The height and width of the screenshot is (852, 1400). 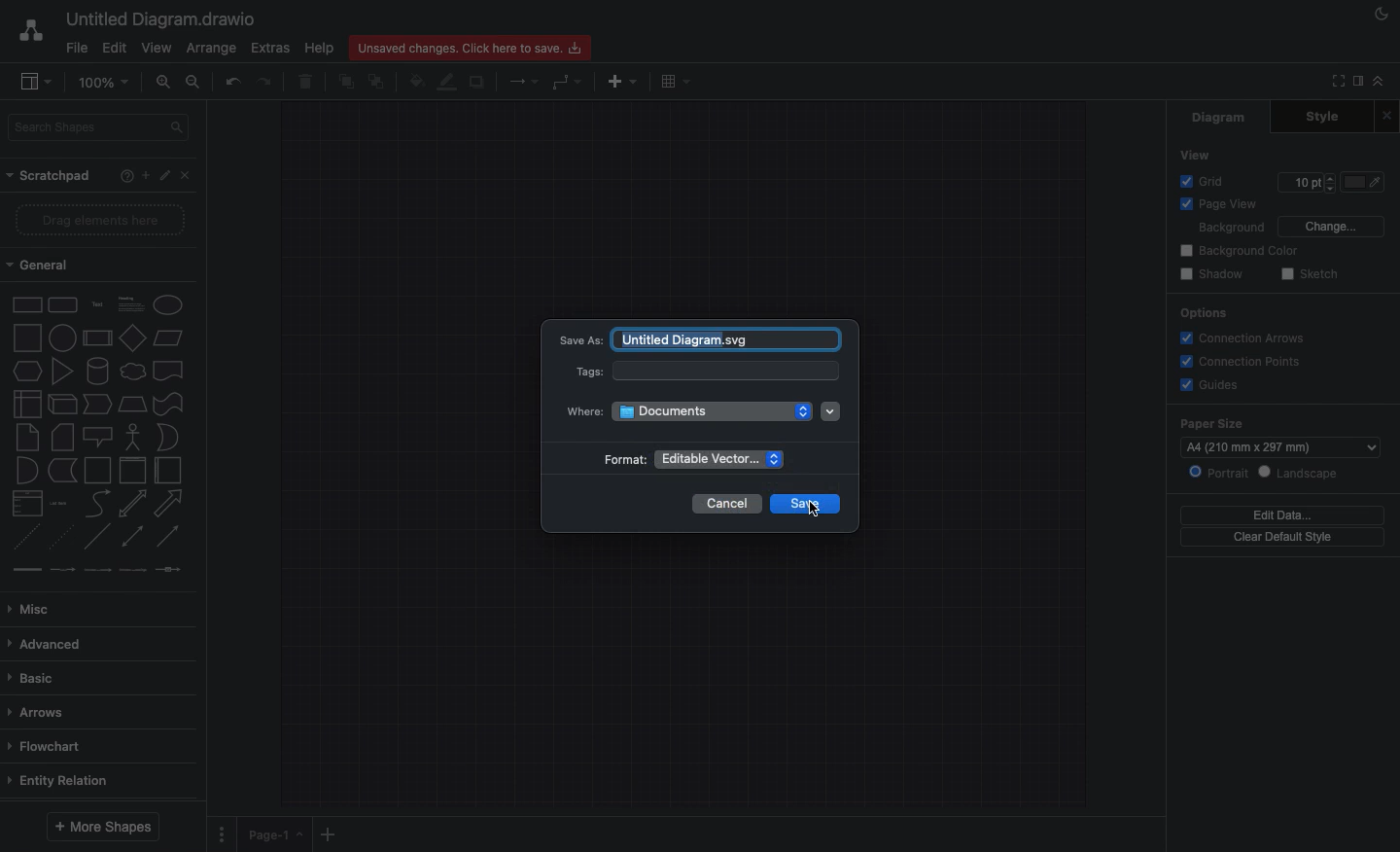 What do you see at coordinates (112, 49) in the screenshot?
I see `Edit` at bounding box center [112, 49].